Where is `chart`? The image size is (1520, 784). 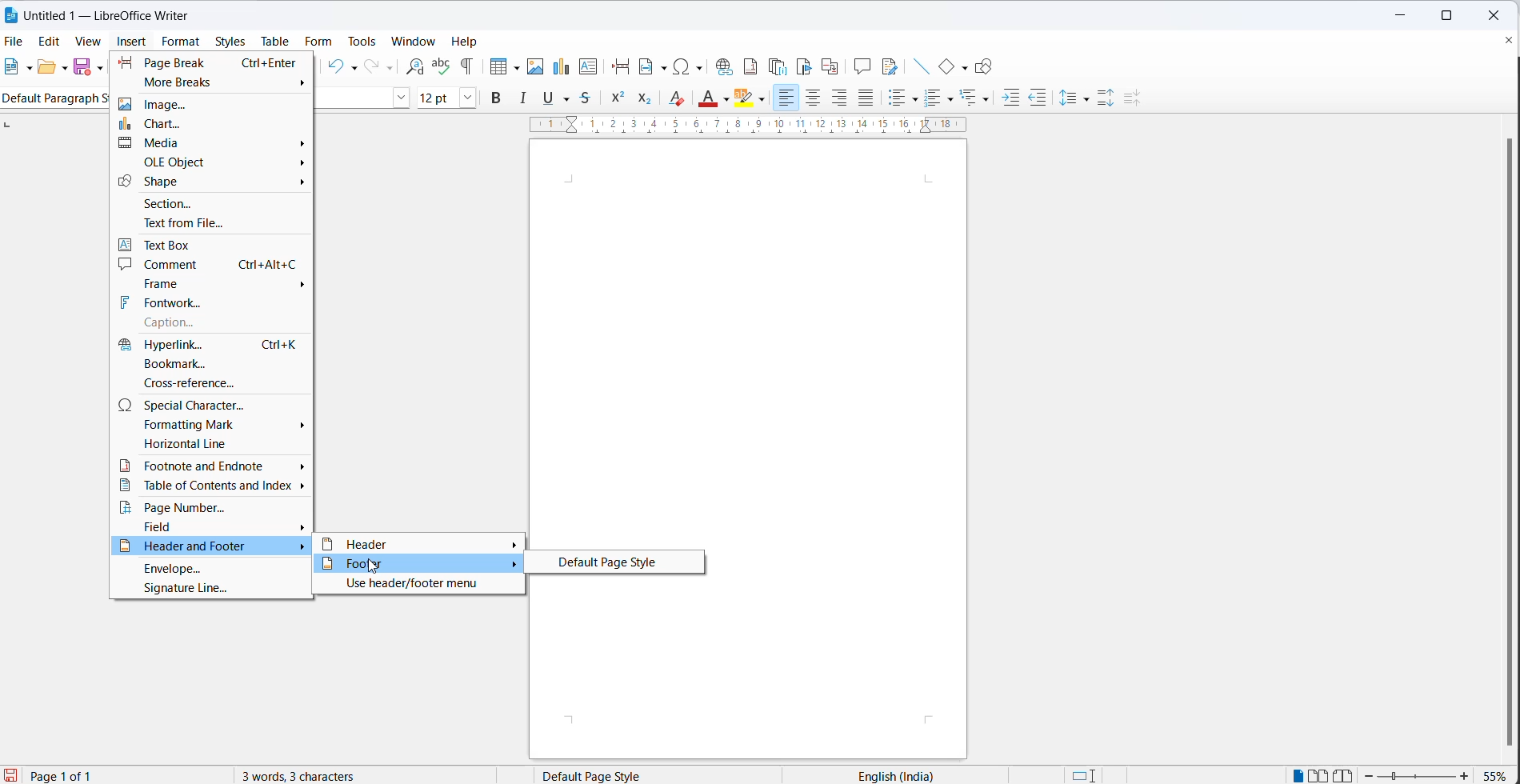
chart is located at coordinates (211, 124).